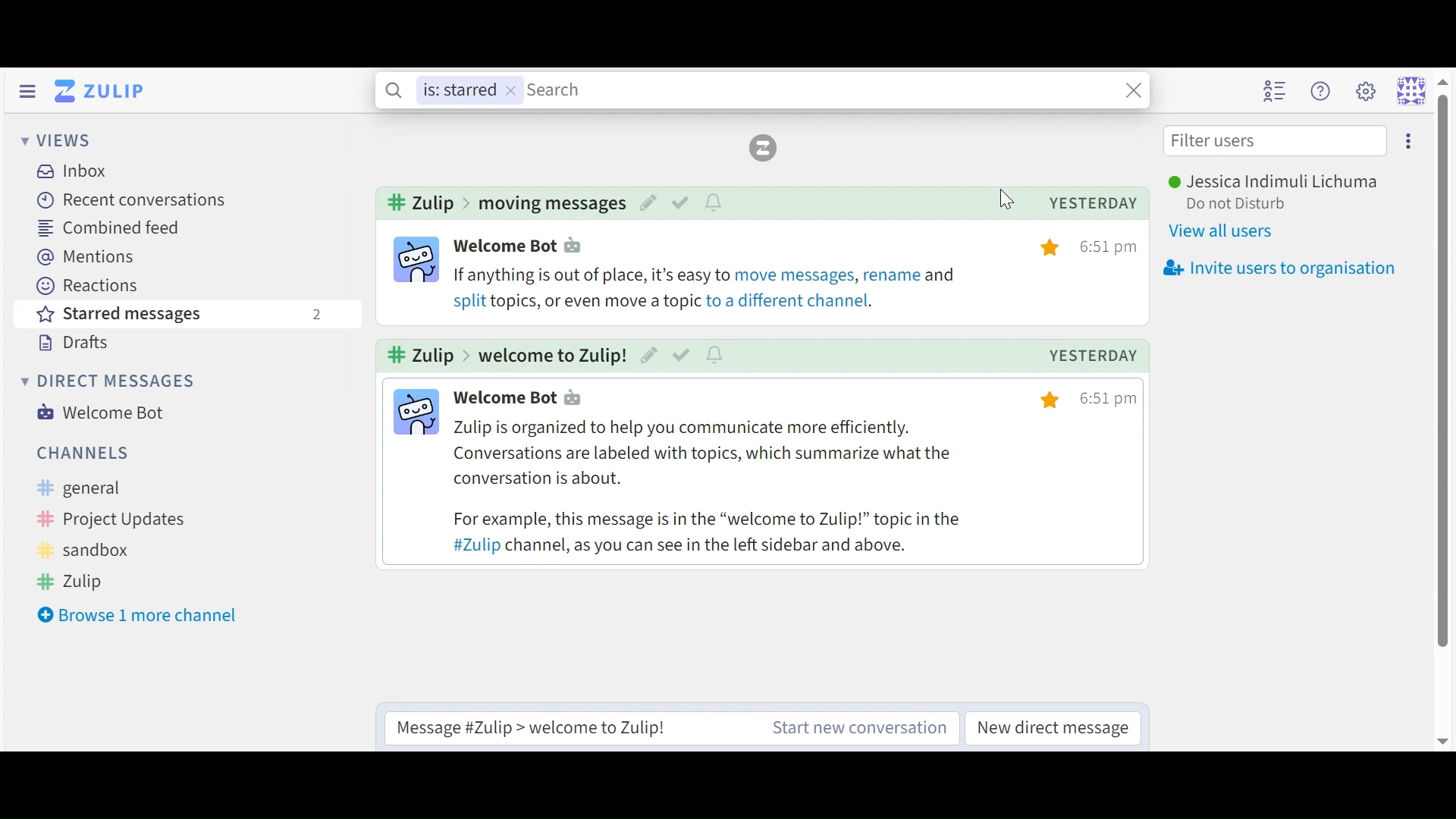 This screenshot has width=1456, height=819. Describe the element at coordinates (103, 227) in the screenshot. I see `Combined Feed` at that location.